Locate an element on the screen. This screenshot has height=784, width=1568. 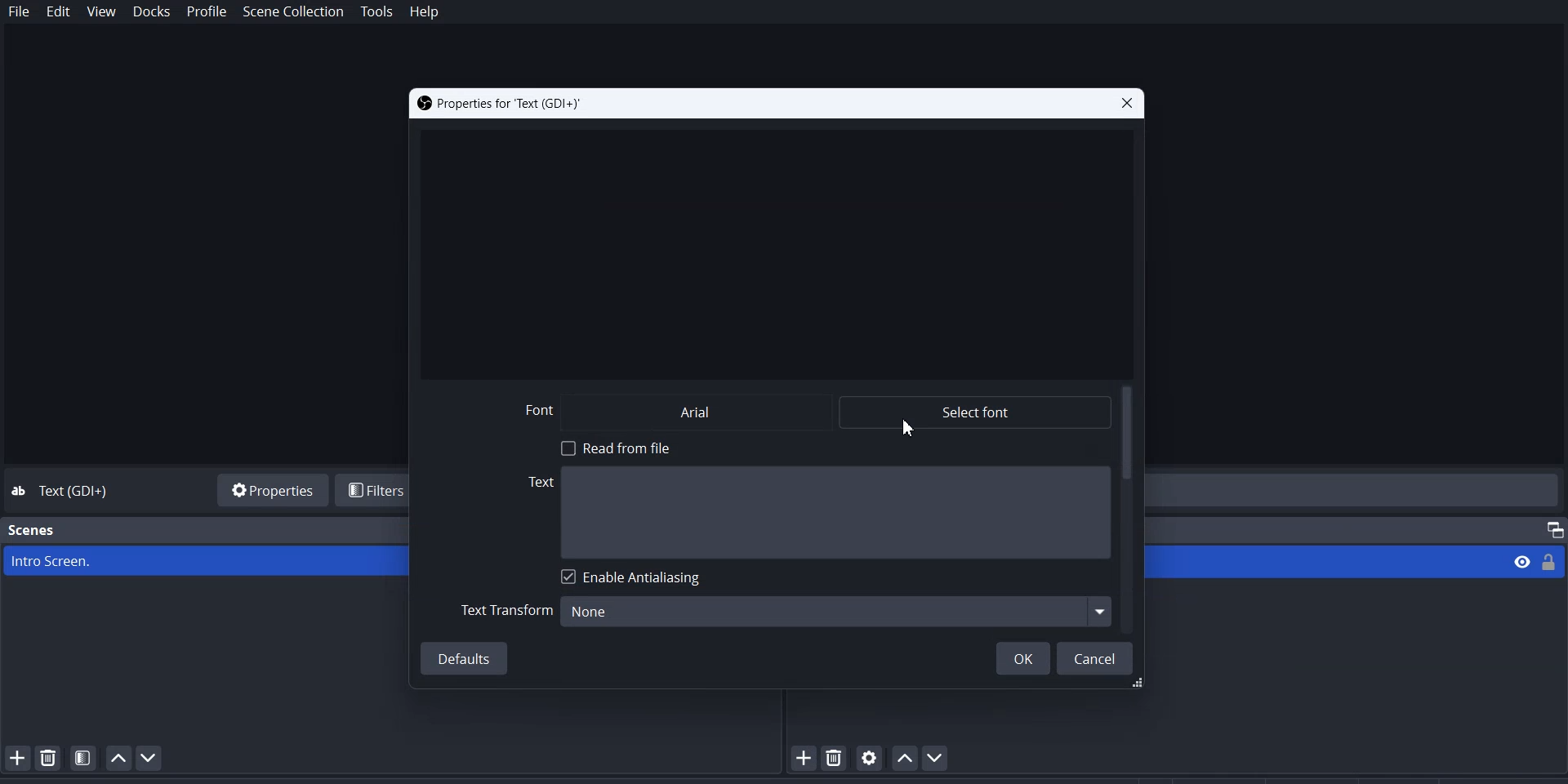
Text(GDI+) is located at coordinates (78, 492).